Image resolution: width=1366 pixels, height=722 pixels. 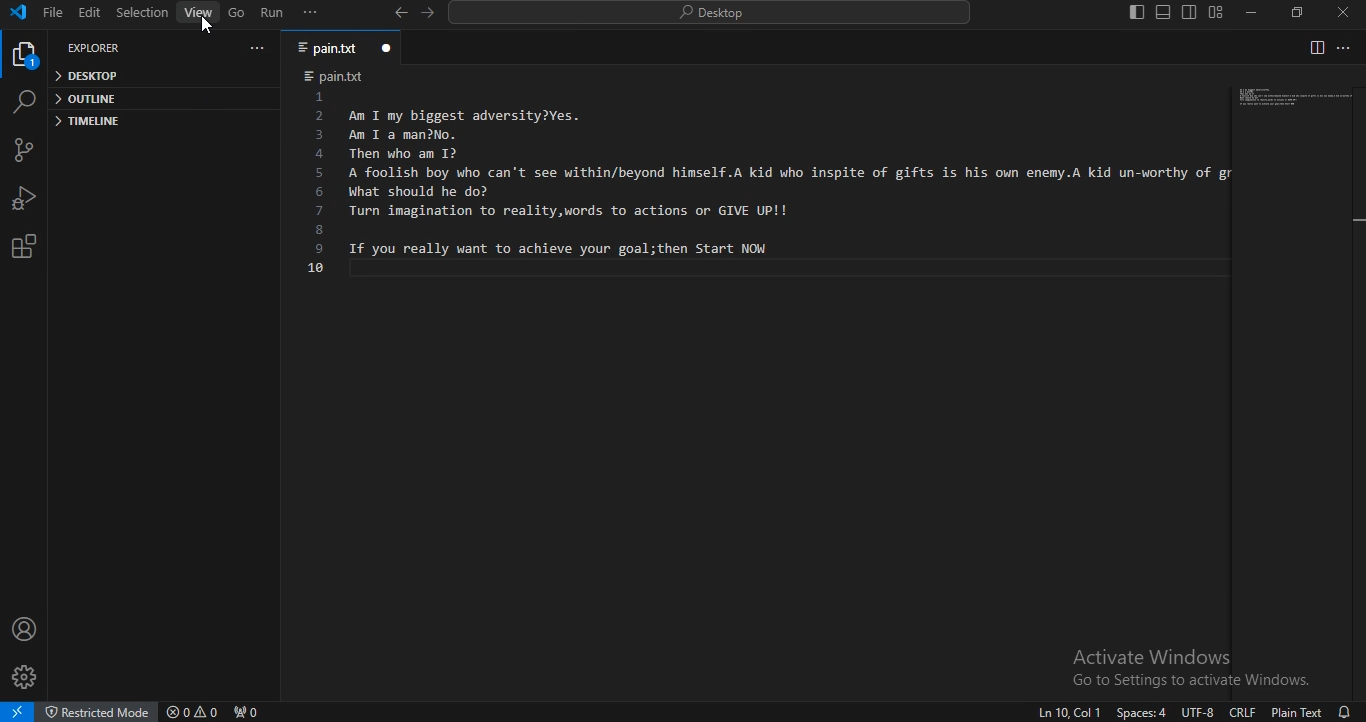 I want to click on line number, so click(x=318, y=186).